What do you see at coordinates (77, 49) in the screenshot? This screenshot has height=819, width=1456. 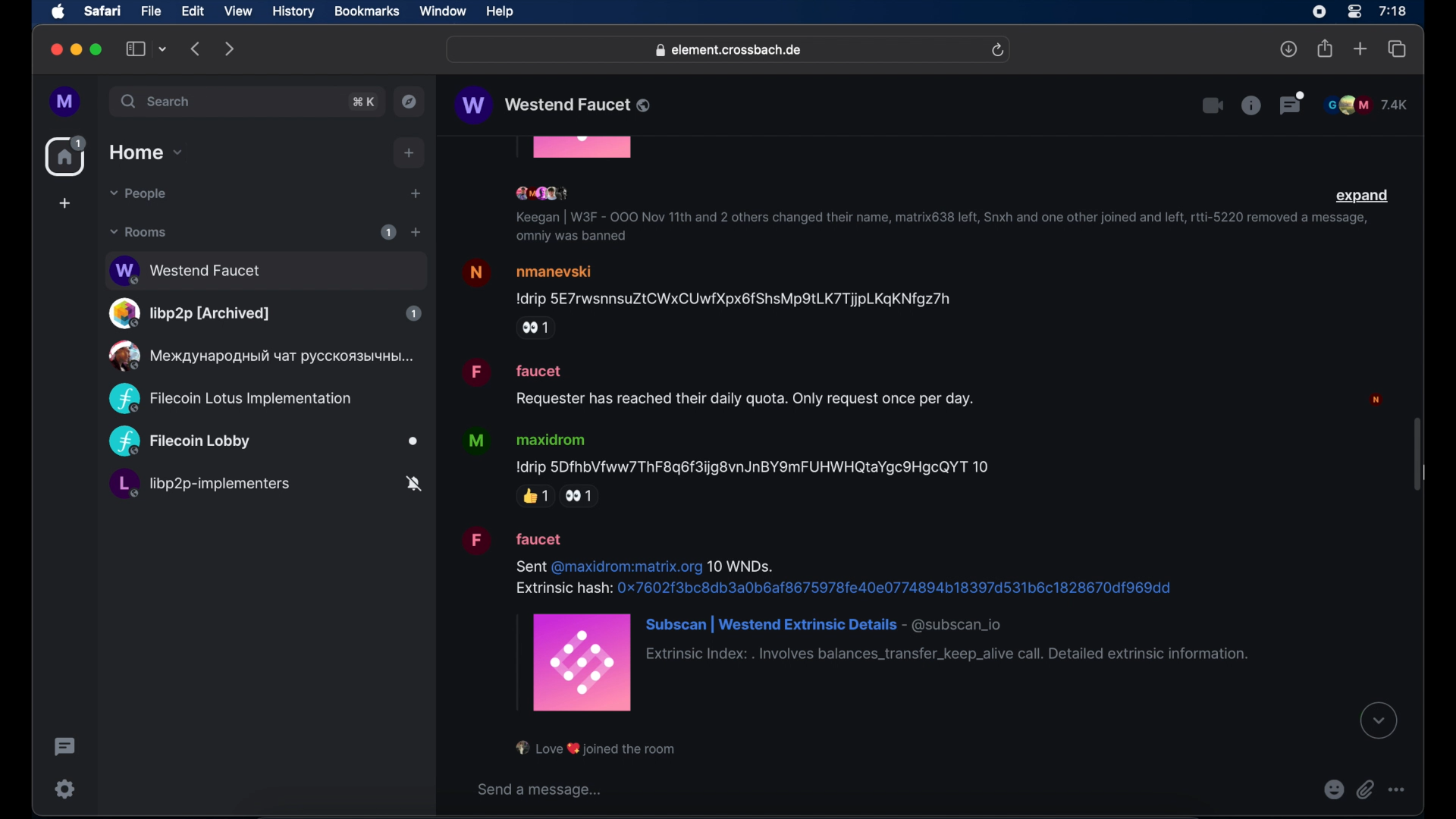 I see `minimize` at bounding box center [77, 49].